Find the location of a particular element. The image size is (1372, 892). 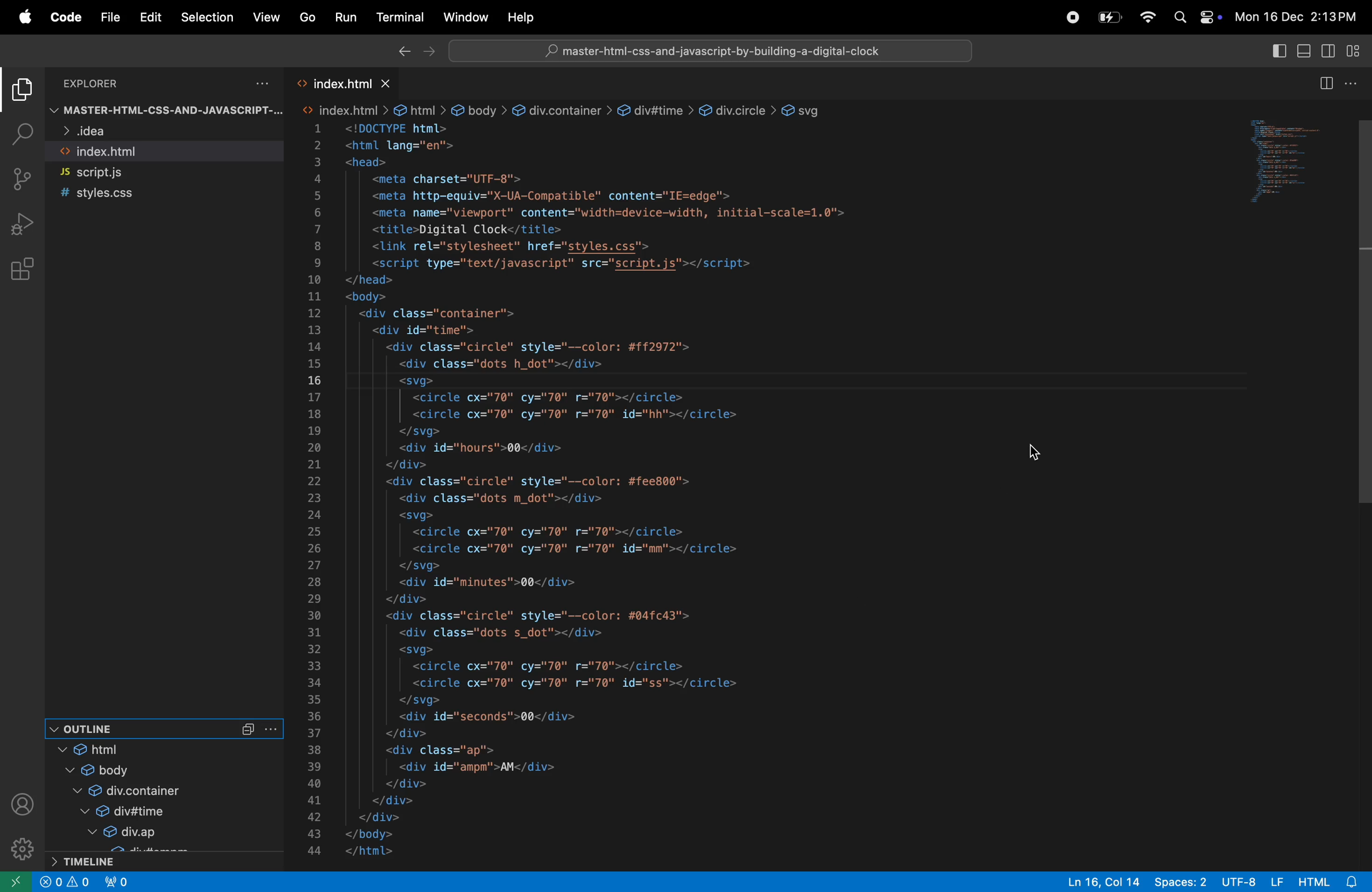

settings is located at coordinates (21, 848).